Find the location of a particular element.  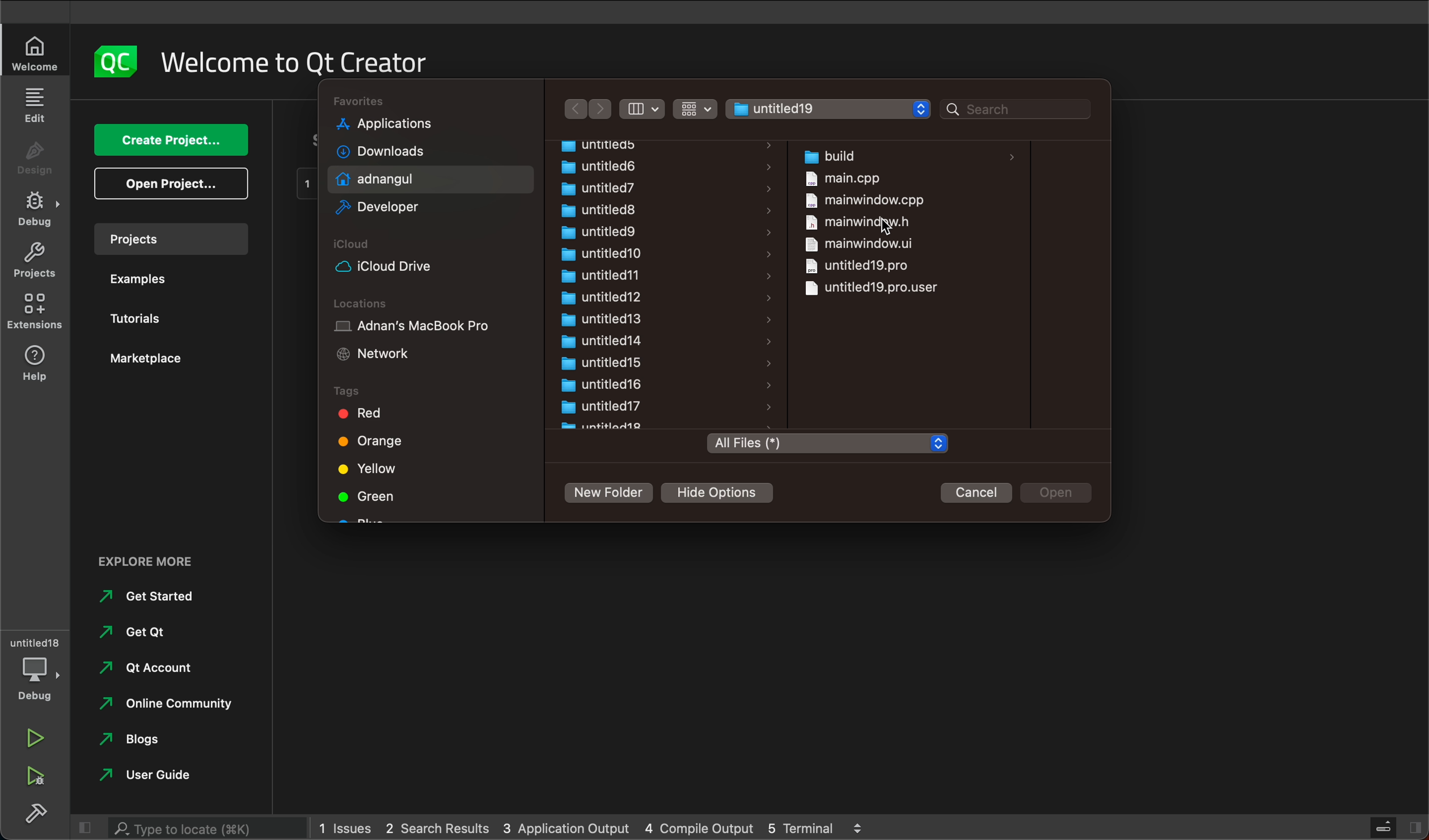

5 terminal is located at coordinates (822, 826).